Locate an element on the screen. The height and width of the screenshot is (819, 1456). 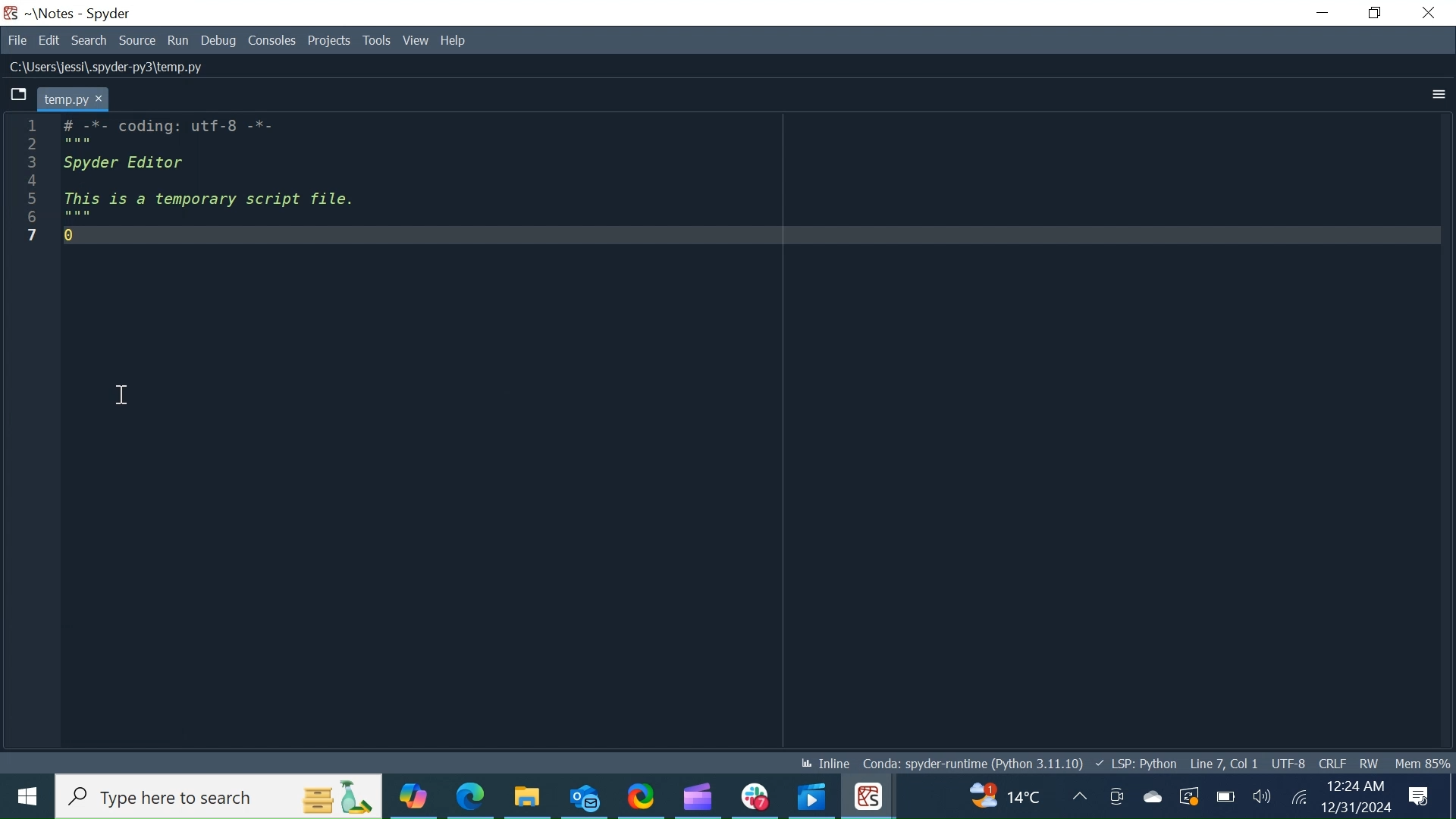
Charge is located at coordinates (1225, 795).